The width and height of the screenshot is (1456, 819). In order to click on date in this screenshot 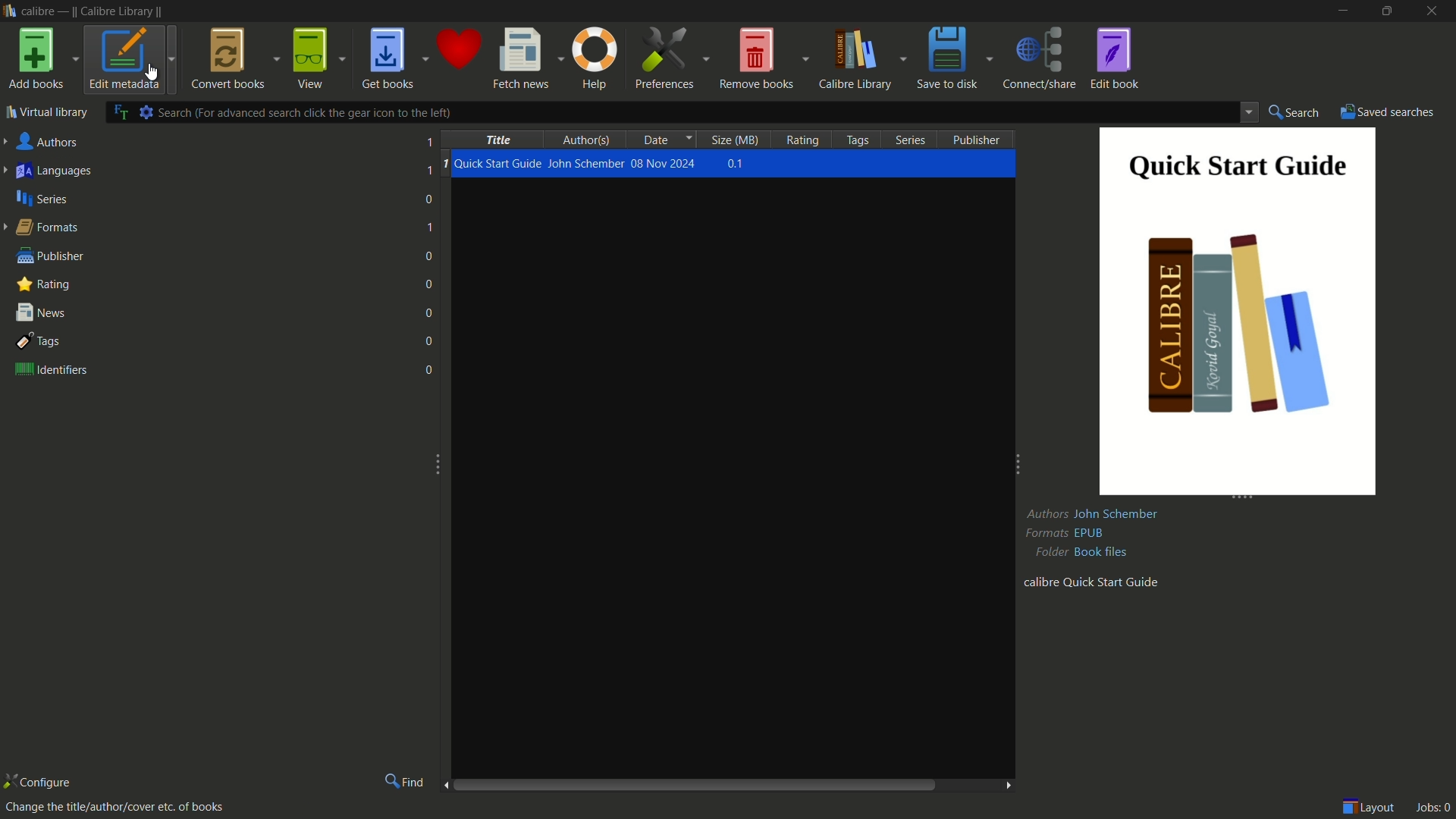, I will do `click(661, 140)`.